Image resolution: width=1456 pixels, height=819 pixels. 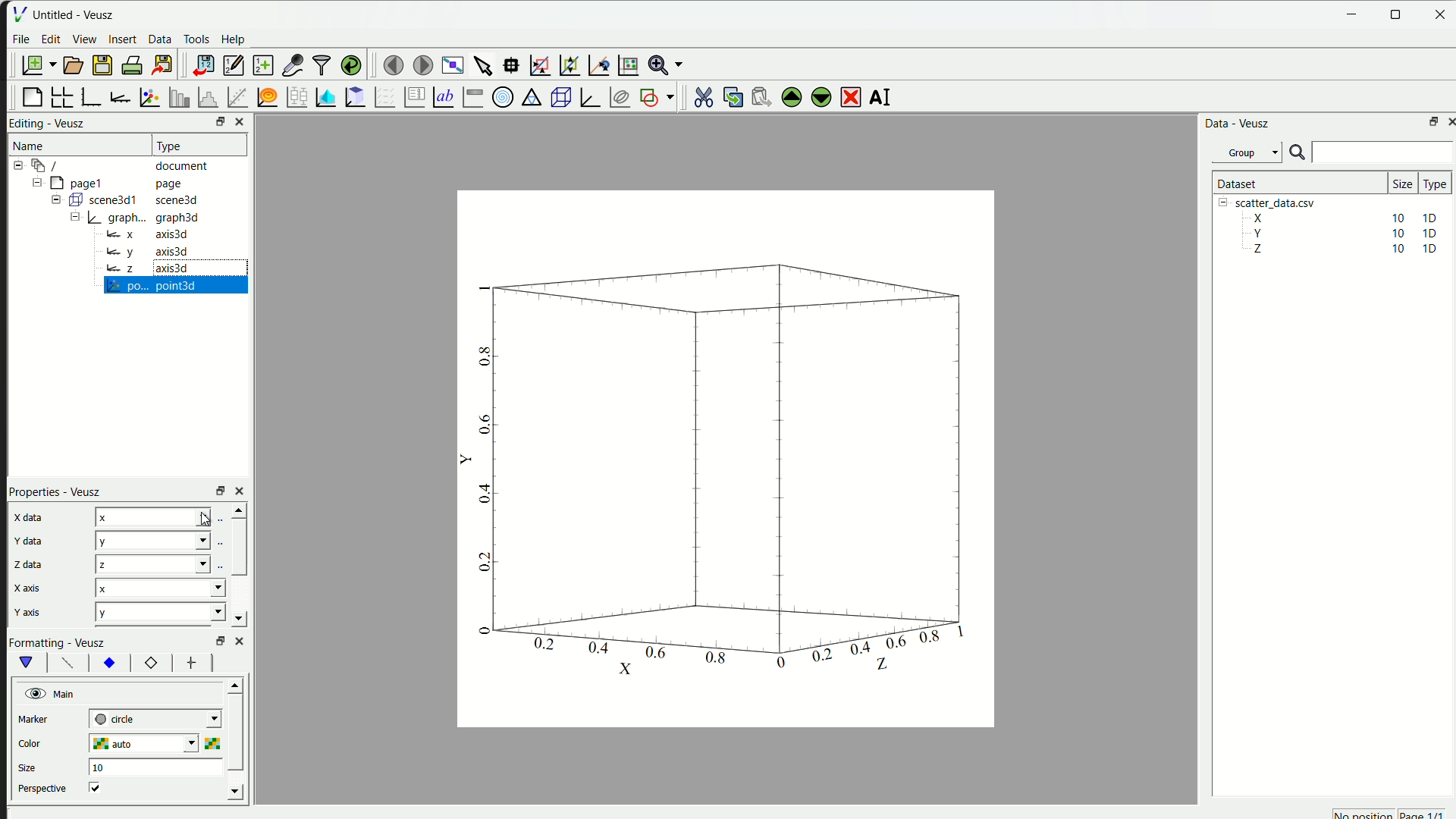 I want to click on Untitled - Veusz, so click(x=77, y=14).